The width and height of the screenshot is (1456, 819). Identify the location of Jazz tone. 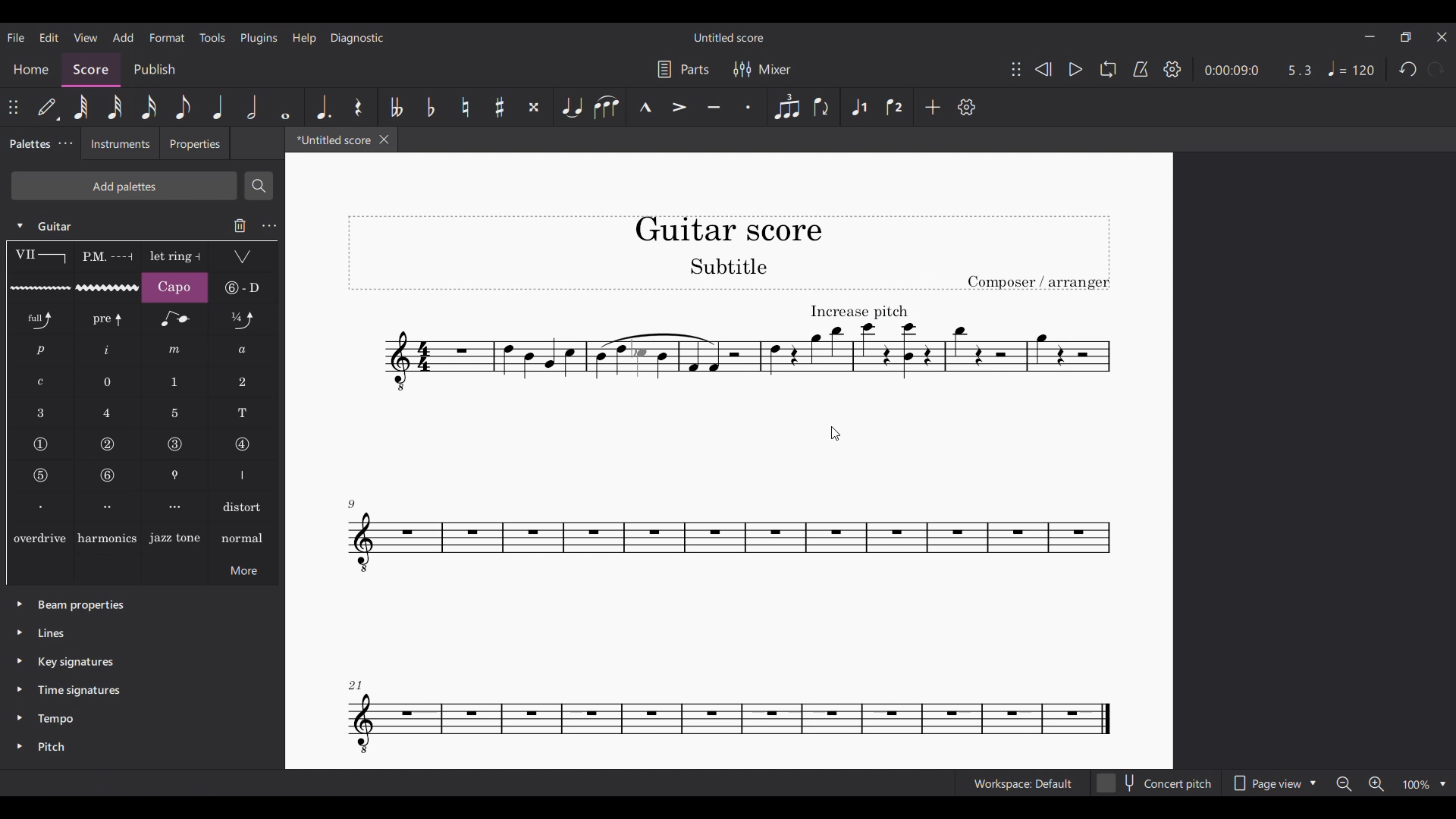
(175, 537).